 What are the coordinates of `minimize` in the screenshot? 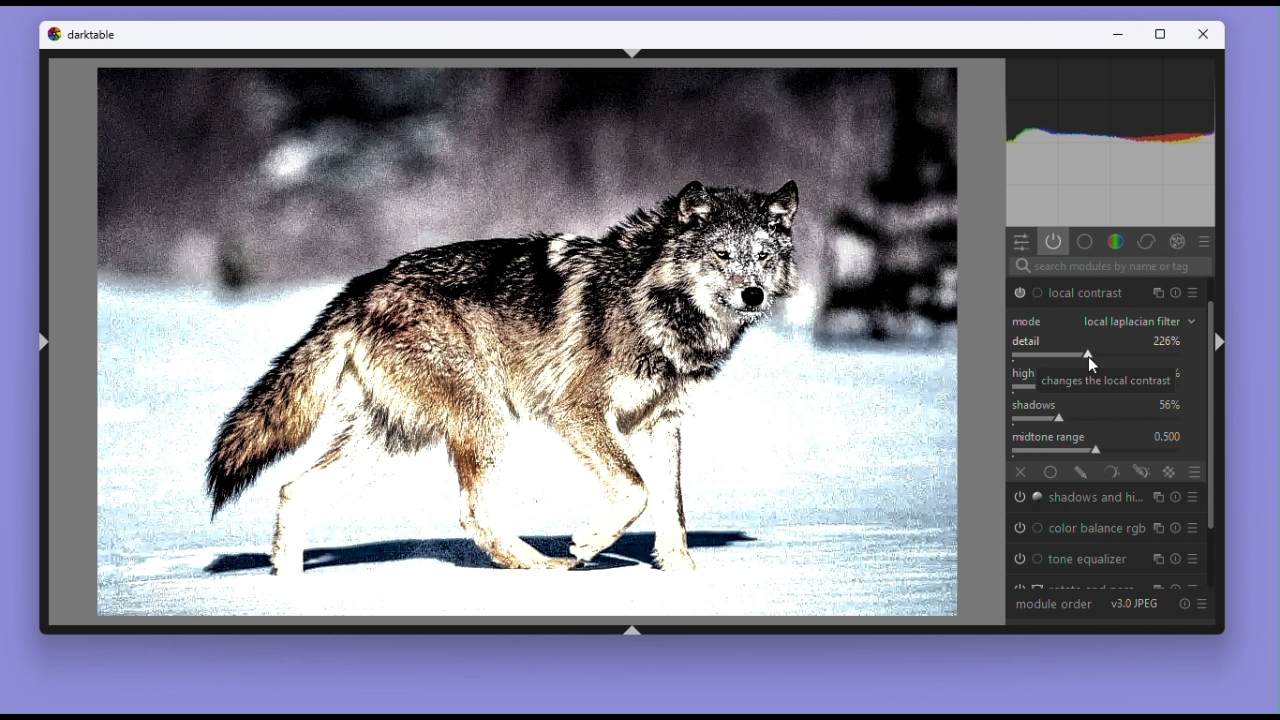 It's located at (1122, 35).